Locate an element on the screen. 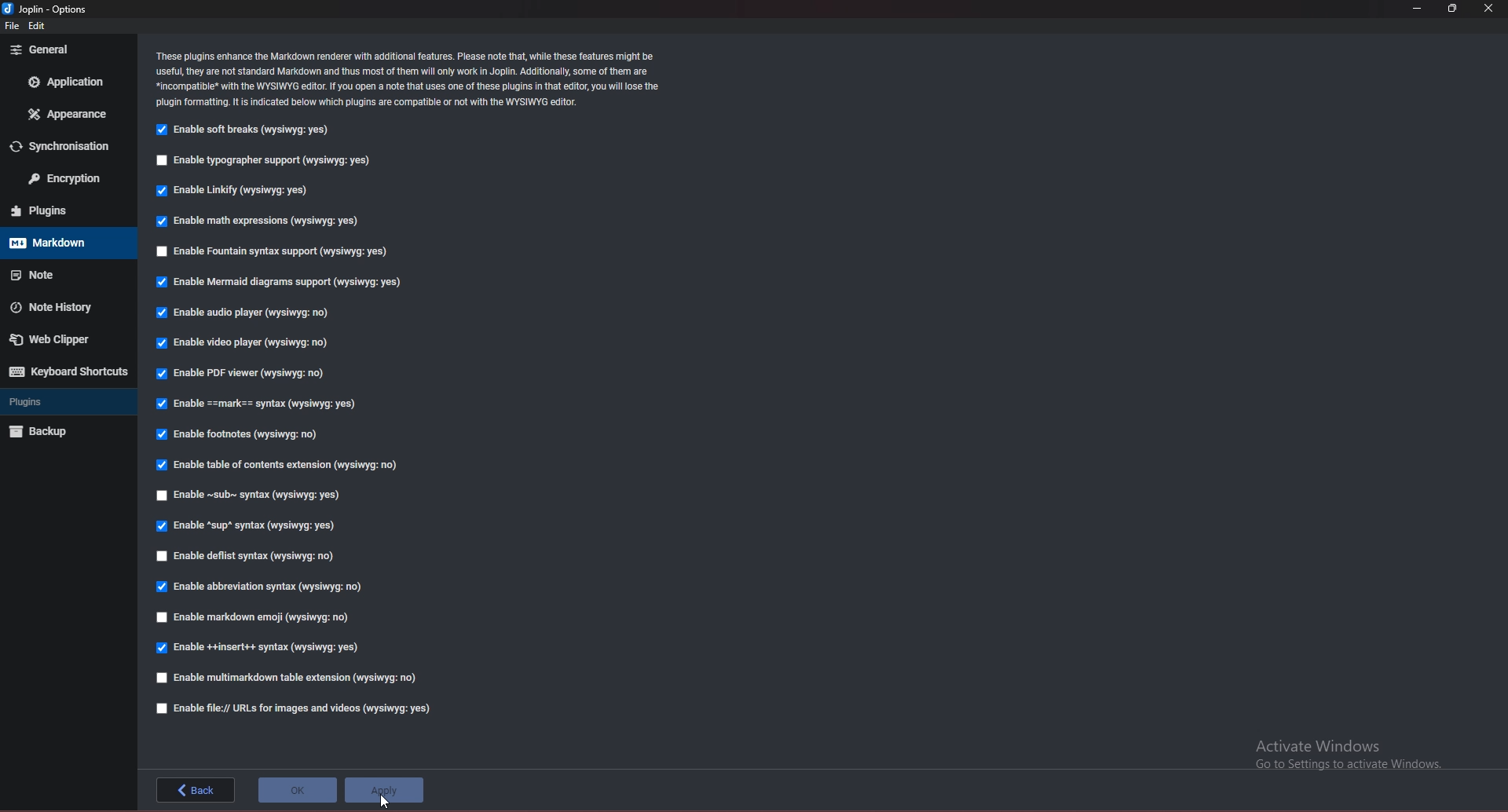 The height and width of the screenshot is (812, 1508). sync is located at coordinates (70, 145).